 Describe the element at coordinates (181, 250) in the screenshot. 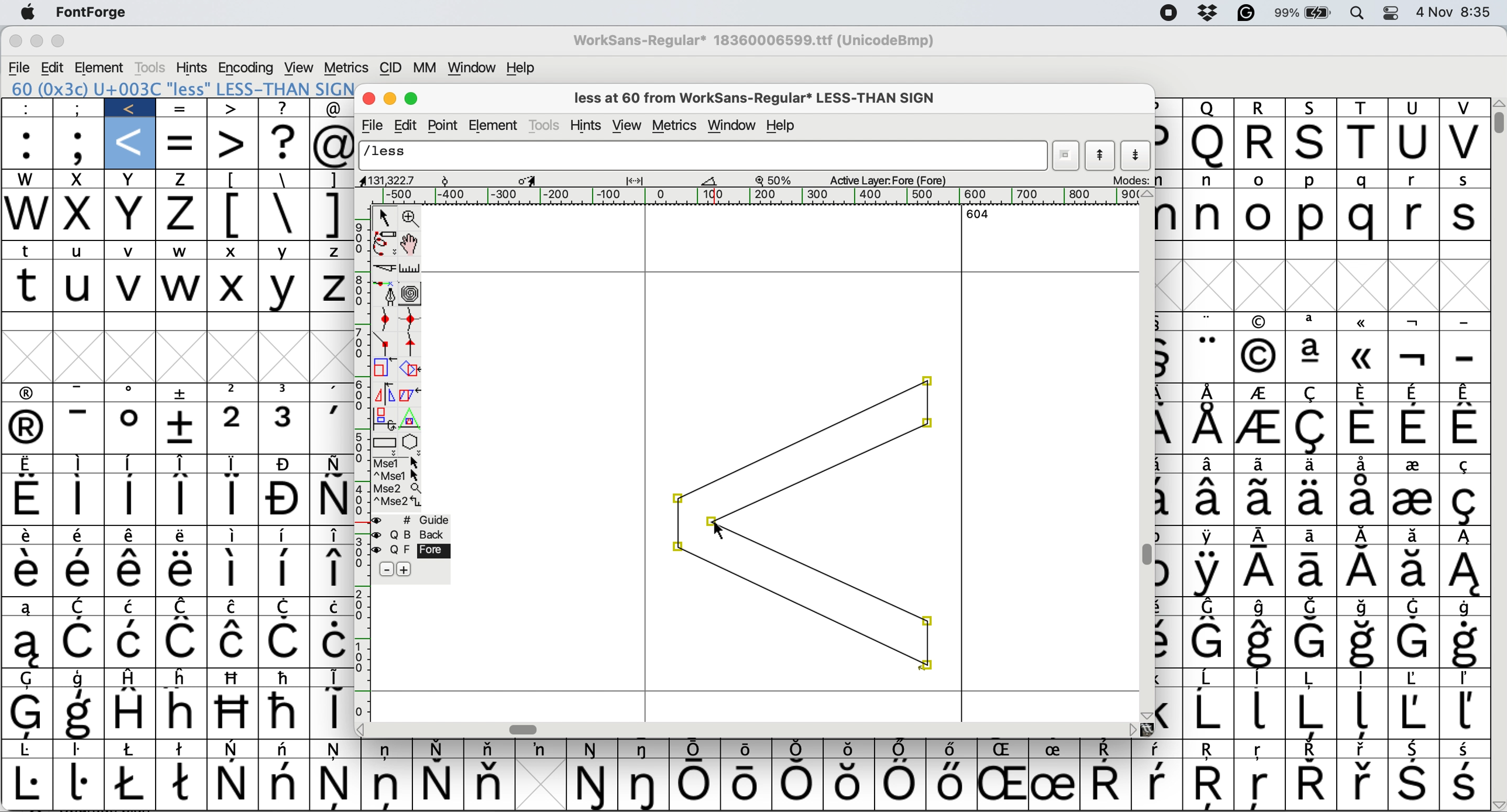

I see `w` at that location.